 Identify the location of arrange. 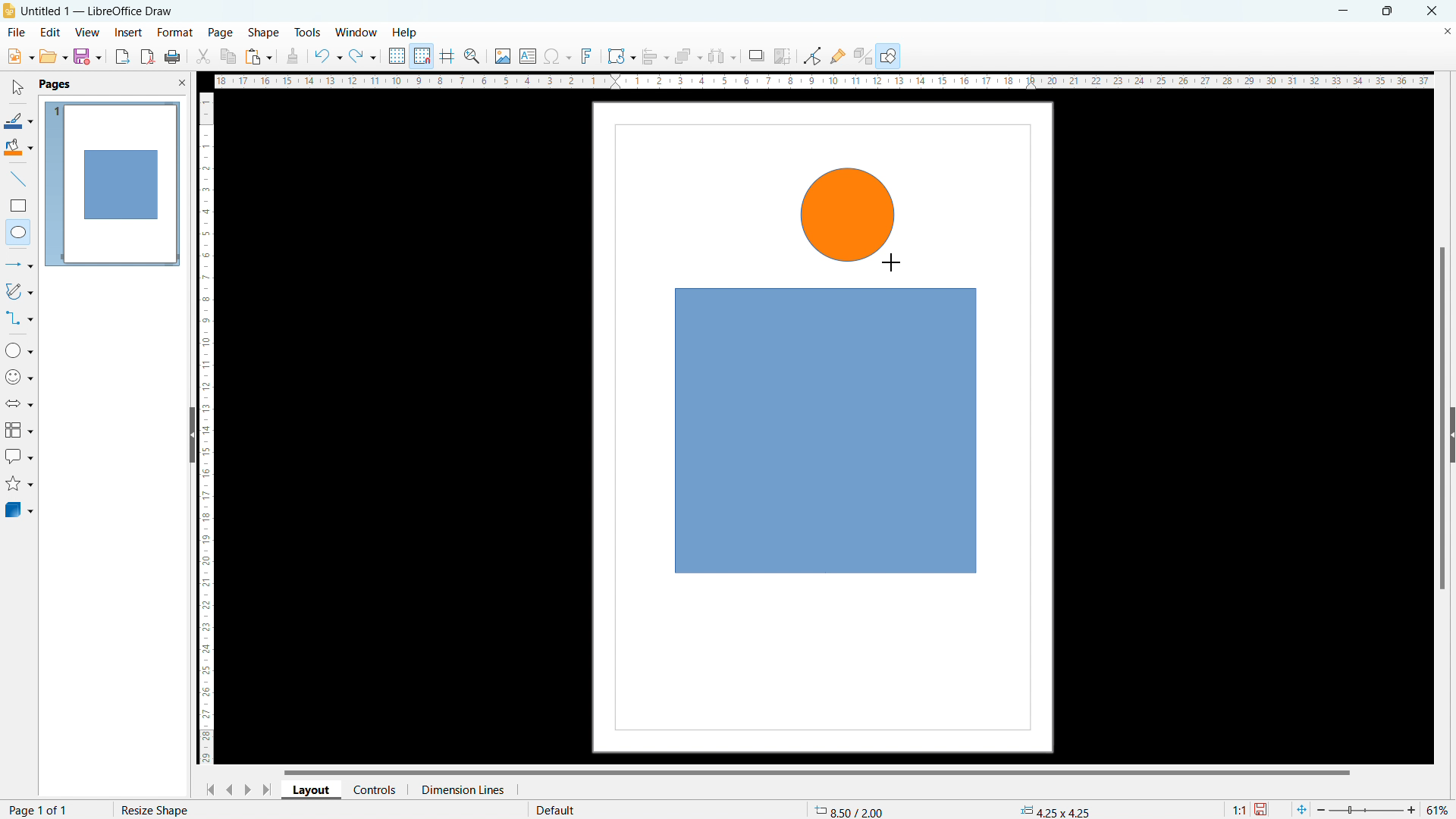
(688, 57).